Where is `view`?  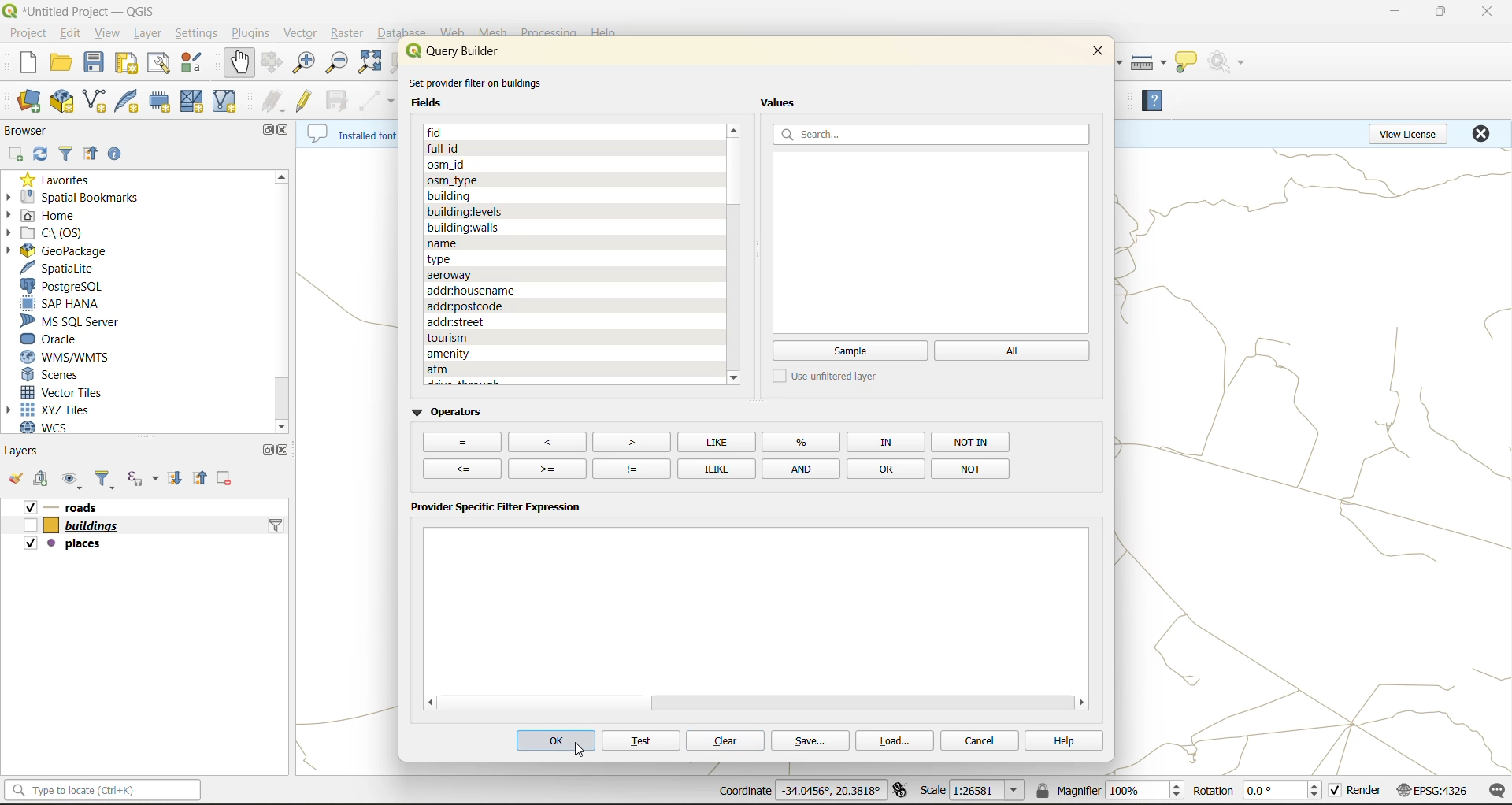 view is located at coordinates (106, 33).